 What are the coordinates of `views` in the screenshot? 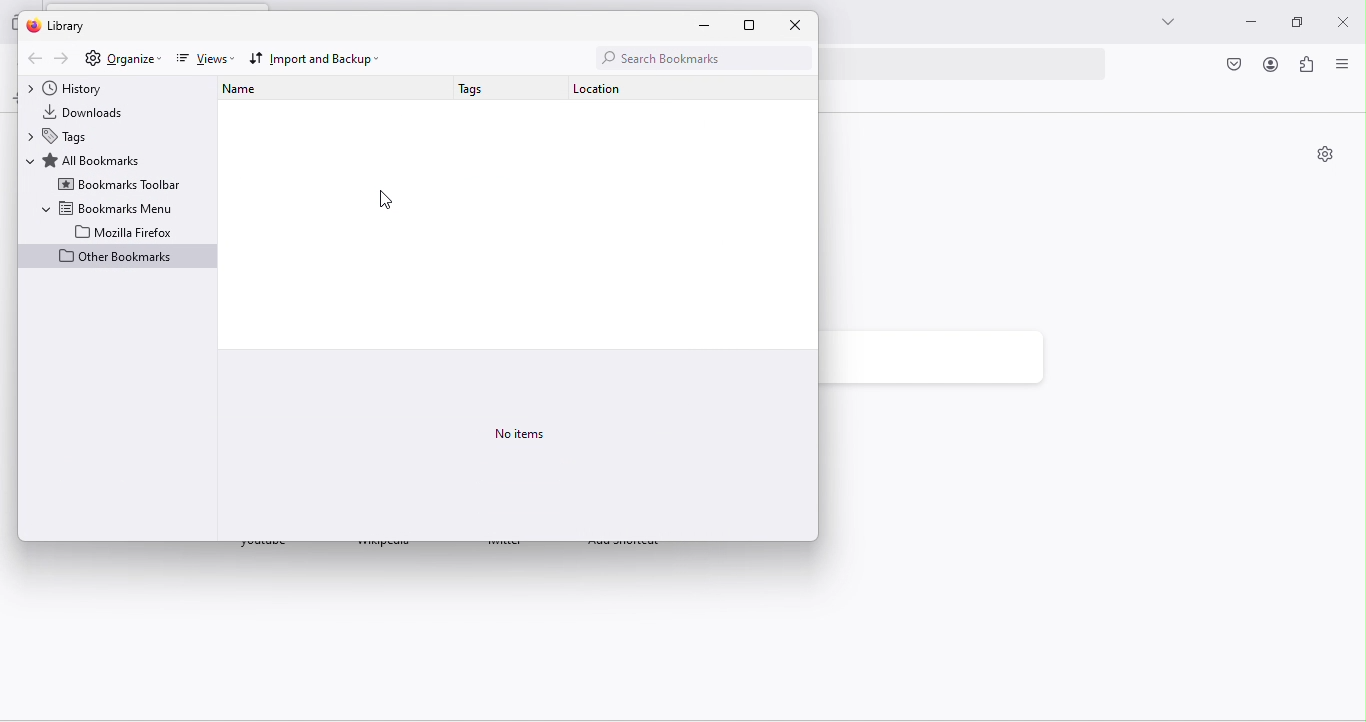 It's located at (203, 60).